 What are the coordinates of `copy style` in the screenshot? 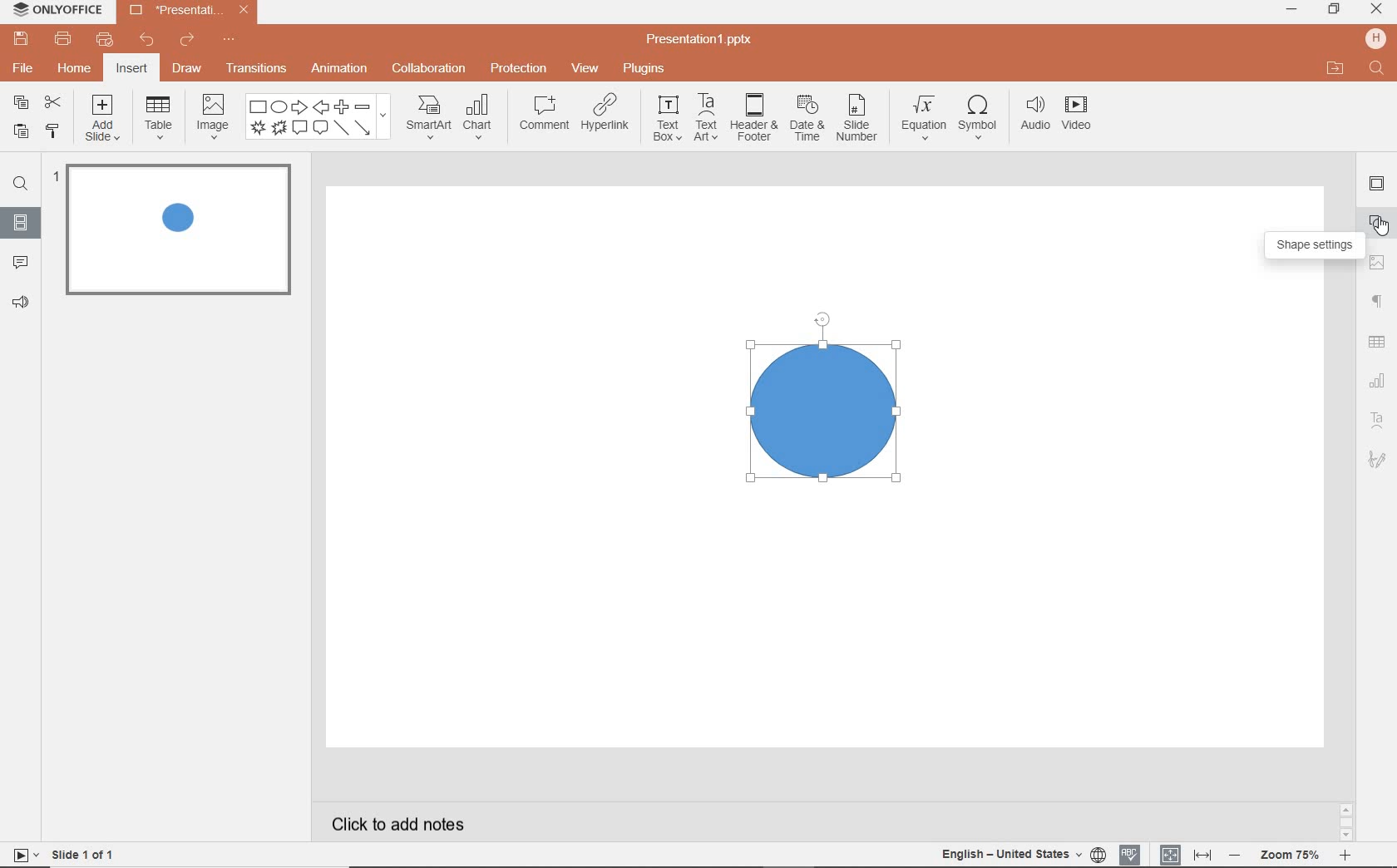 It's located at (52, 133).